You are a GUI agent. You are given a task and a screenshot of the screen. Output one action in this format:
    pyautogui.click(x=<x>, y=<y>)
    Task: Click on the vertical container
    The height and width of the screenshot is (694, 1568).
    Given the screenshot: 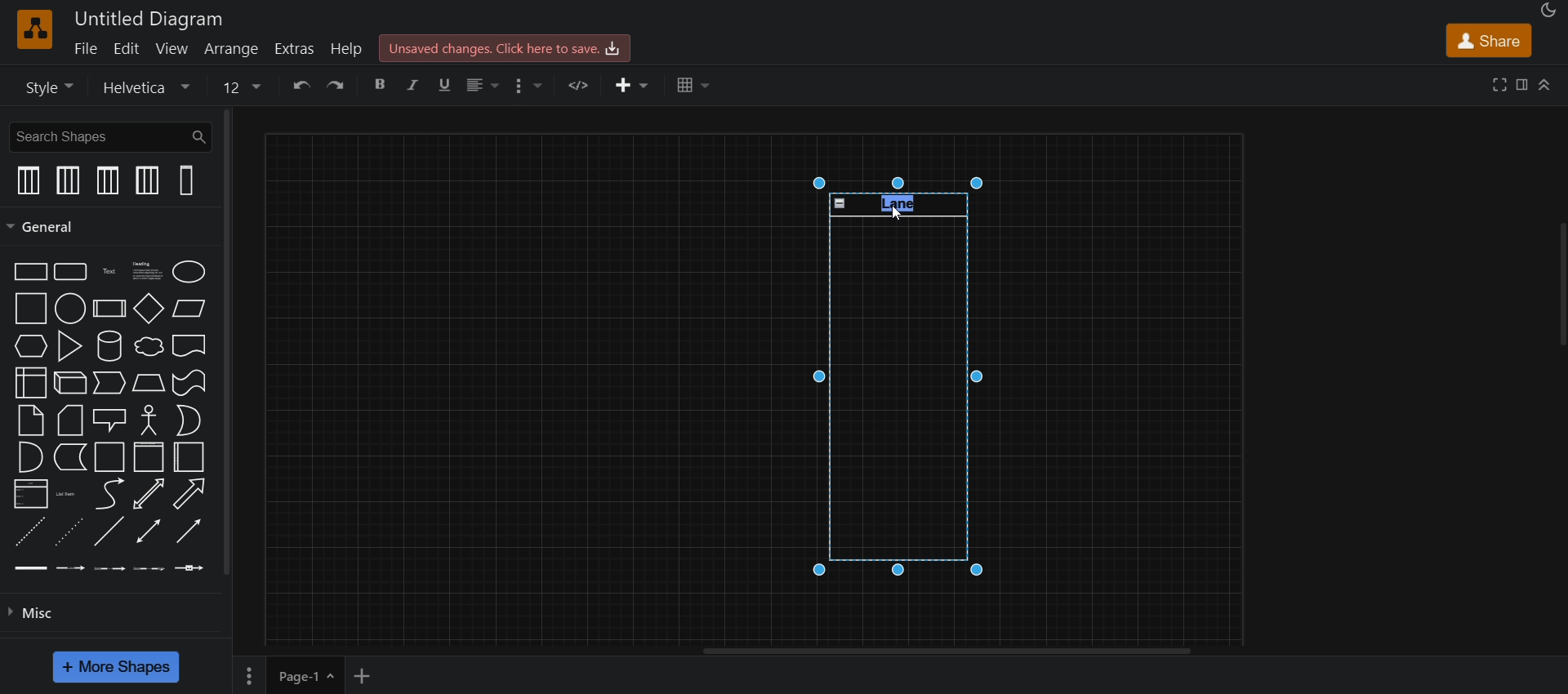 What is the action you would take?
    pyautogui.click(x=187, y=458)
    